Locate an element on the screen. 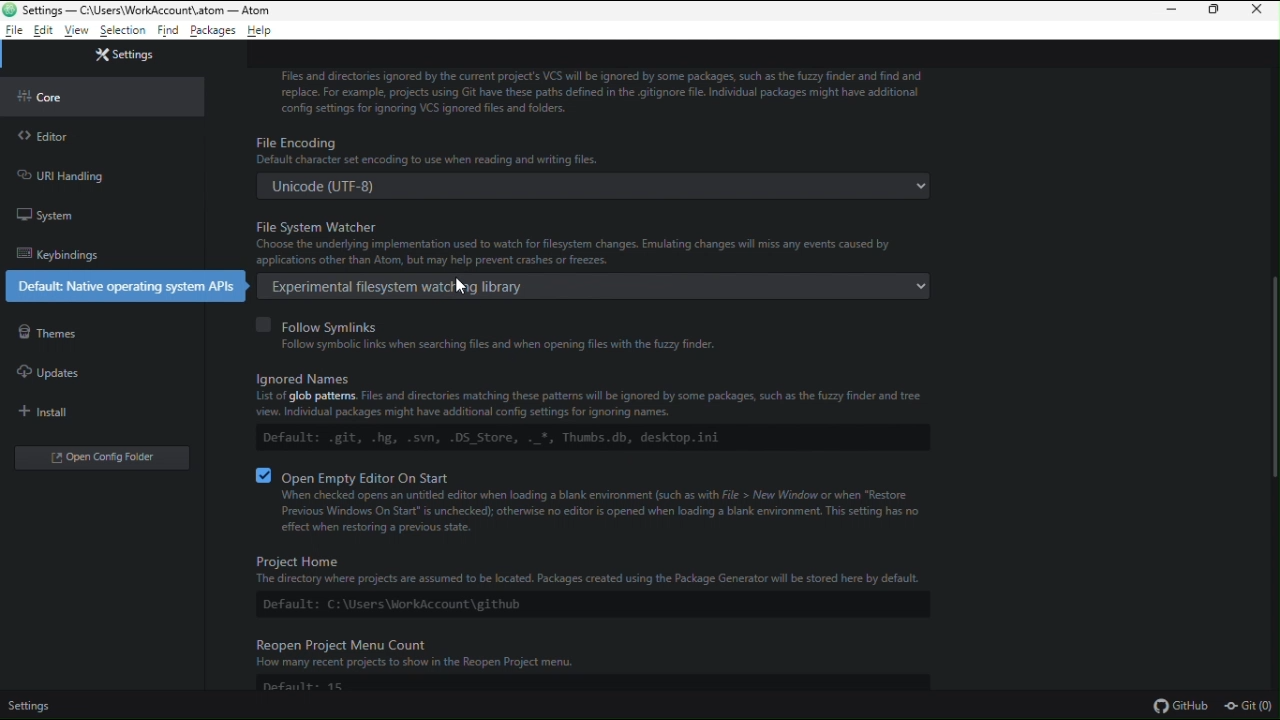 This screenshot has width=1280, height=720. open folder is located at coordinates (105, 456).